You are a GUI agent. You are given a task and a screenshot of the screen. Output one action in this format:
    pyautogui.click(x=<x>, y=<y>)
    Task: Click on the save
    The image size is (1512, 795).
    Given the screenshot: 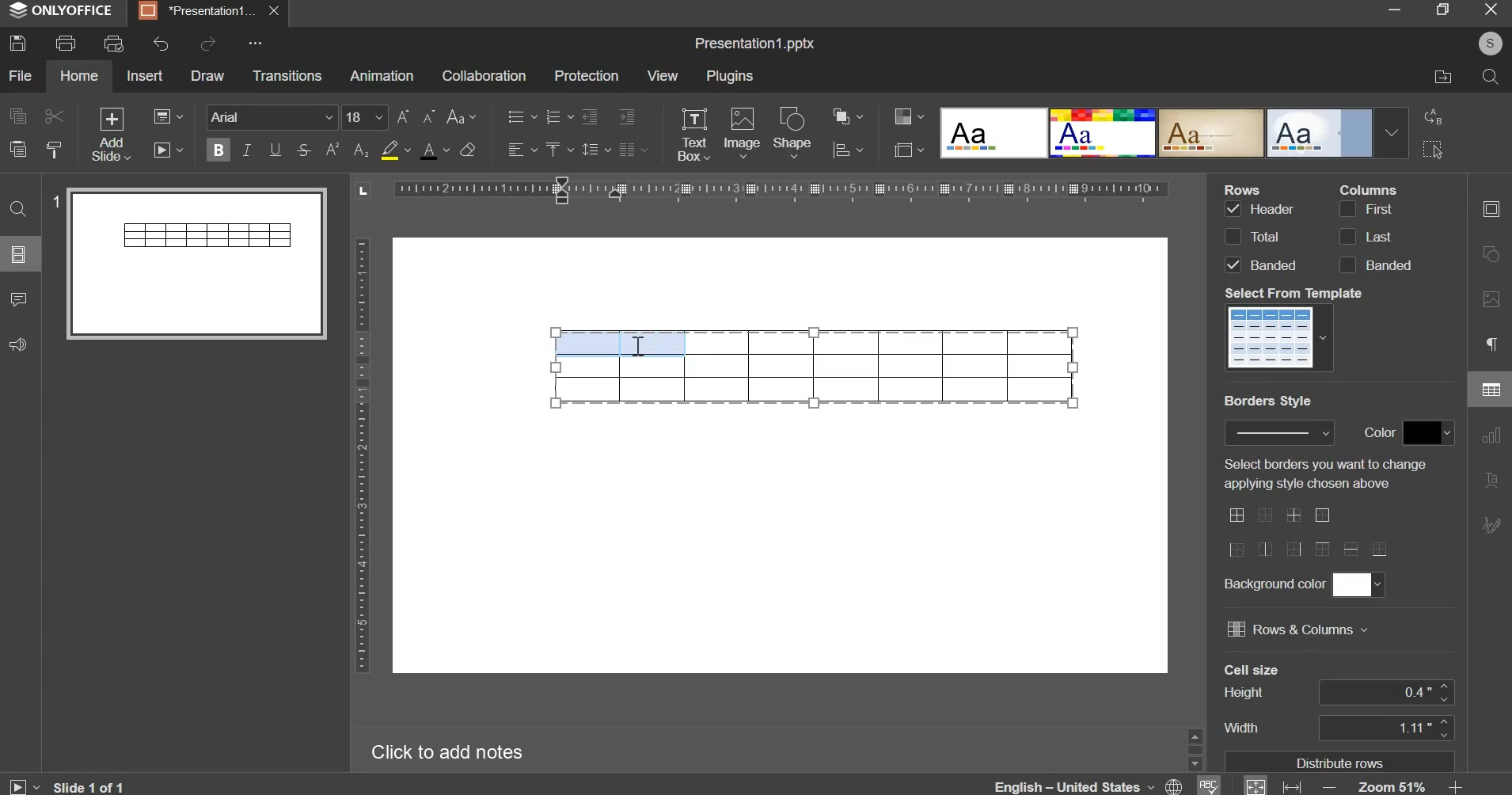 What is the action you would take?
    pyautogui.click(x=17, y=43)
    